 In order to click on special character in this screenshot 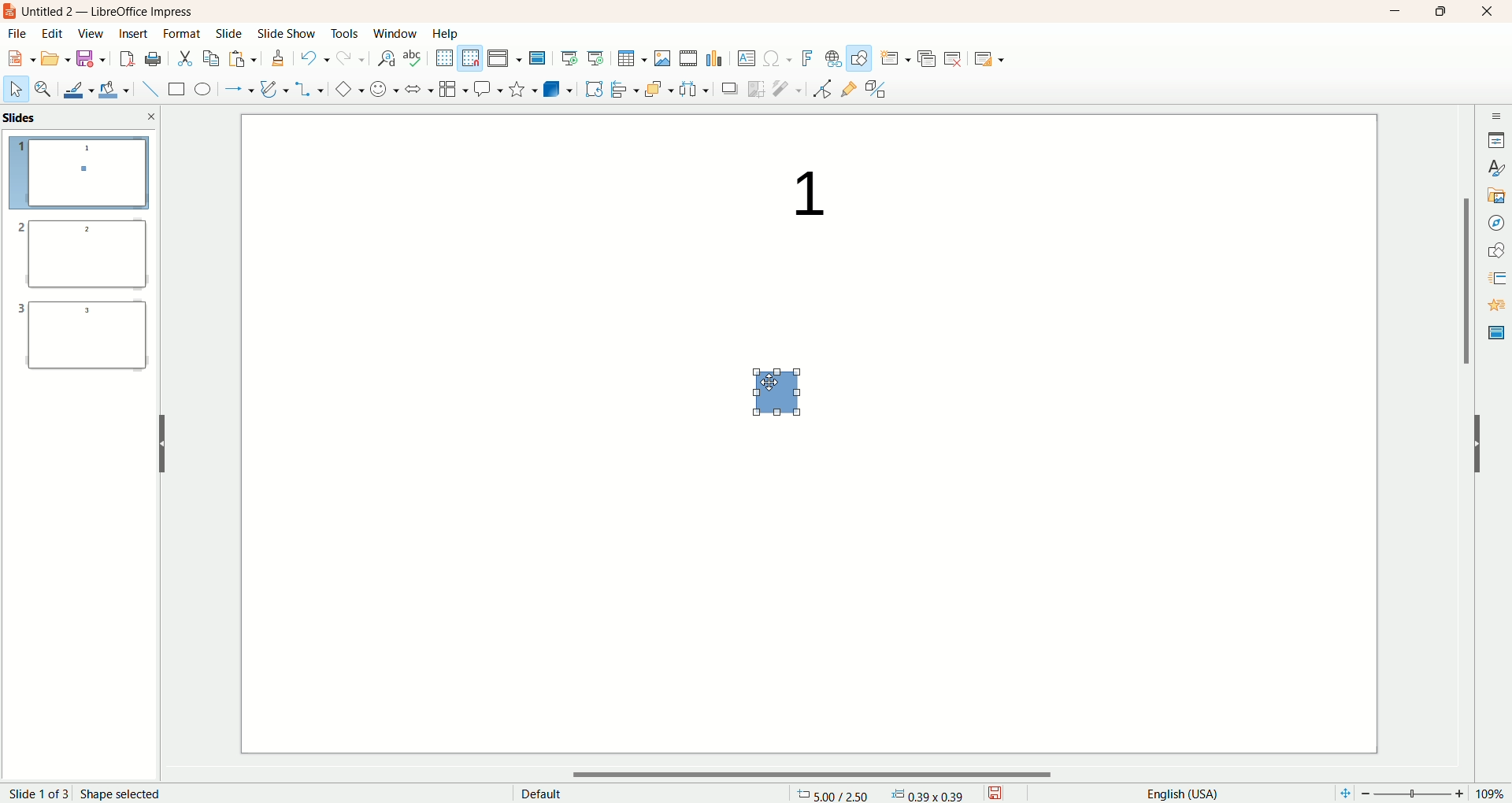, I will do `click(776, 59)`.